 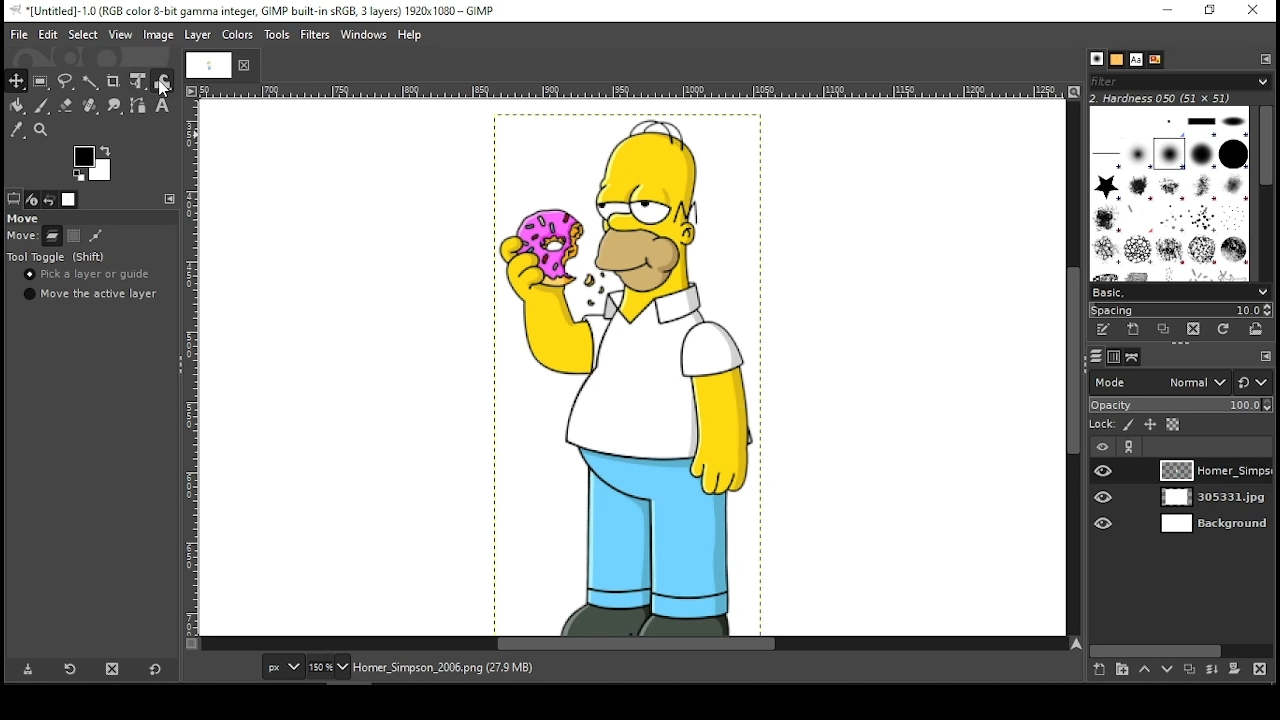 What do you see at coordinates (1269, 59) in the screenshot?
I see `edit toolbar` at bounding box center [1269, 59].